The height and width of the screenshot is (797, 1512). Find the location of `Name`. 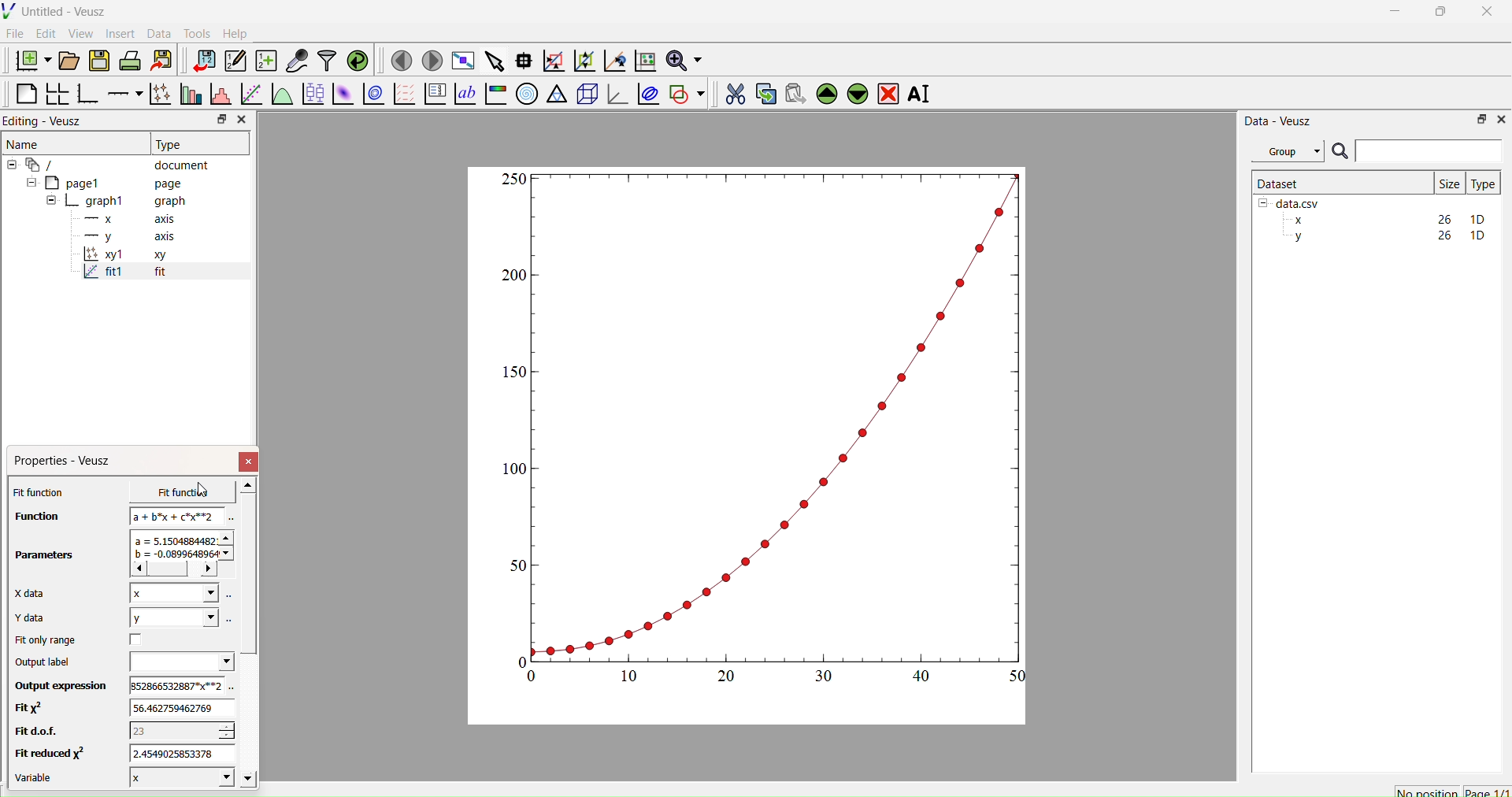

Name is located at coordinates (24, 143).